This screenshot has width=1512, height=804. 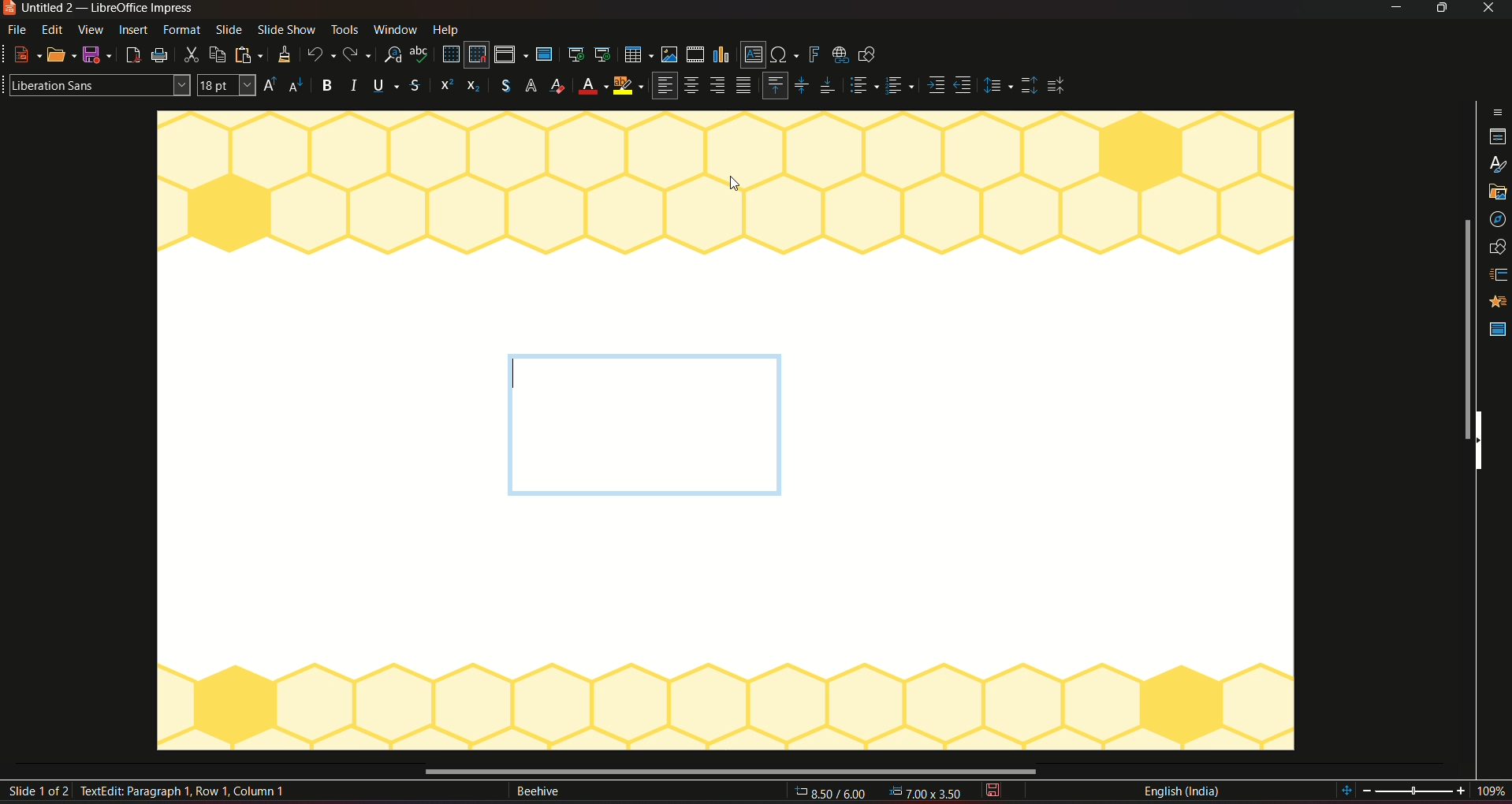 What do you see at coordinates (693, 87) in the screenshot?
I see `Align center` at bounding box center [693, 87].